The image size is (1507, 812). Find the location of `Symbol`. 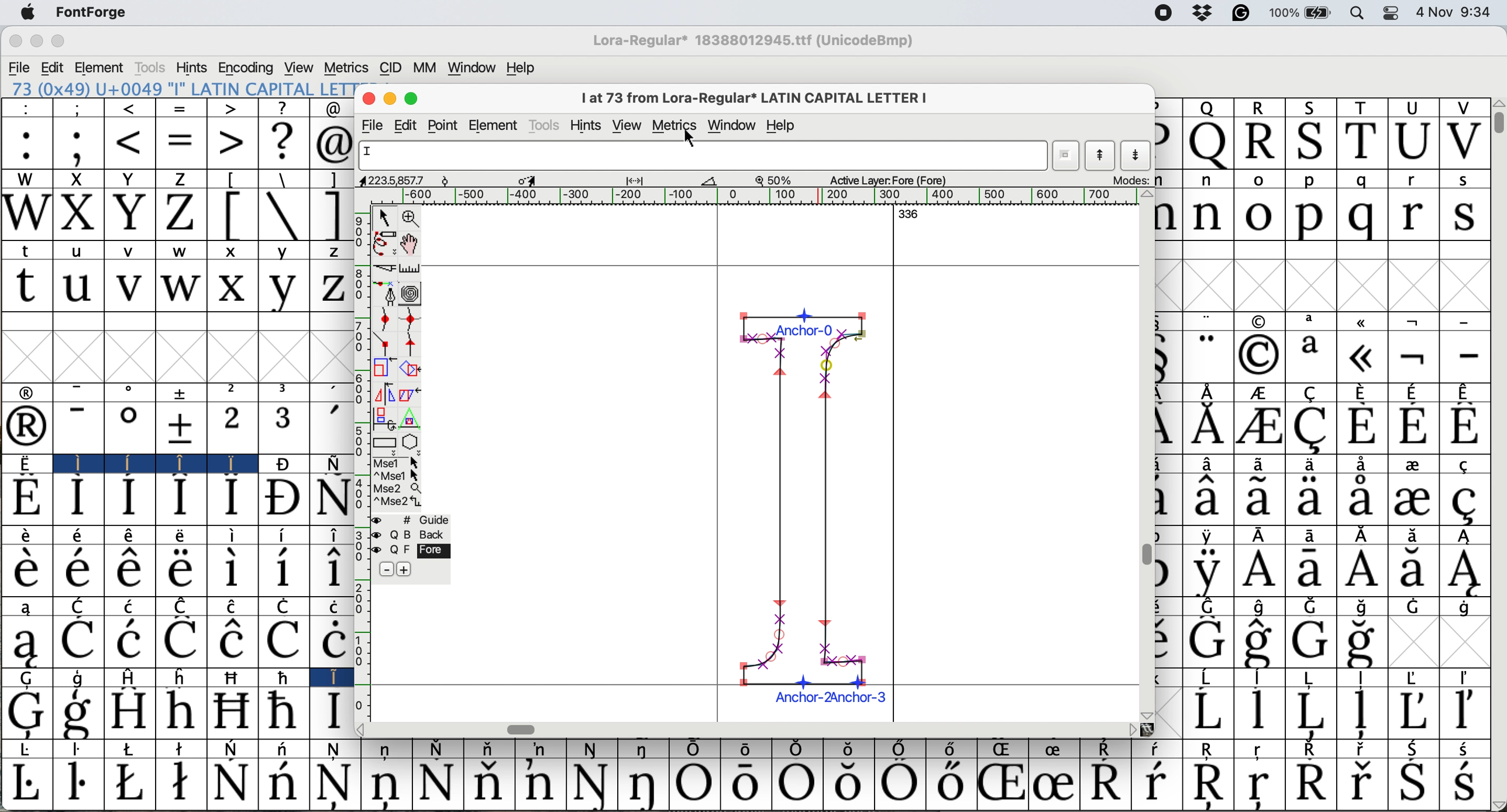

Symbol is located at coordinates (284, 535).